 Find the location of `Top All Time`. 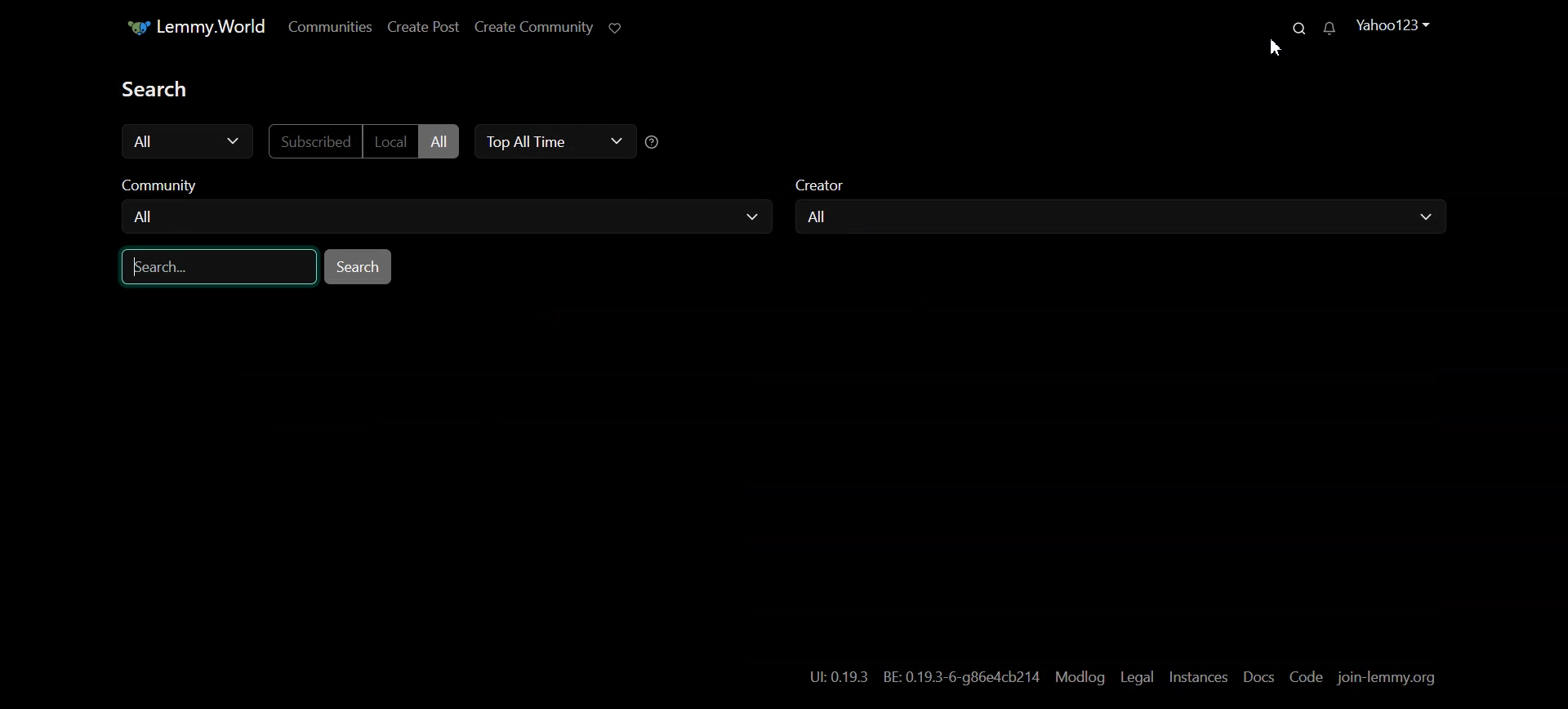

Top All Time is located at coordinates (555, 141).